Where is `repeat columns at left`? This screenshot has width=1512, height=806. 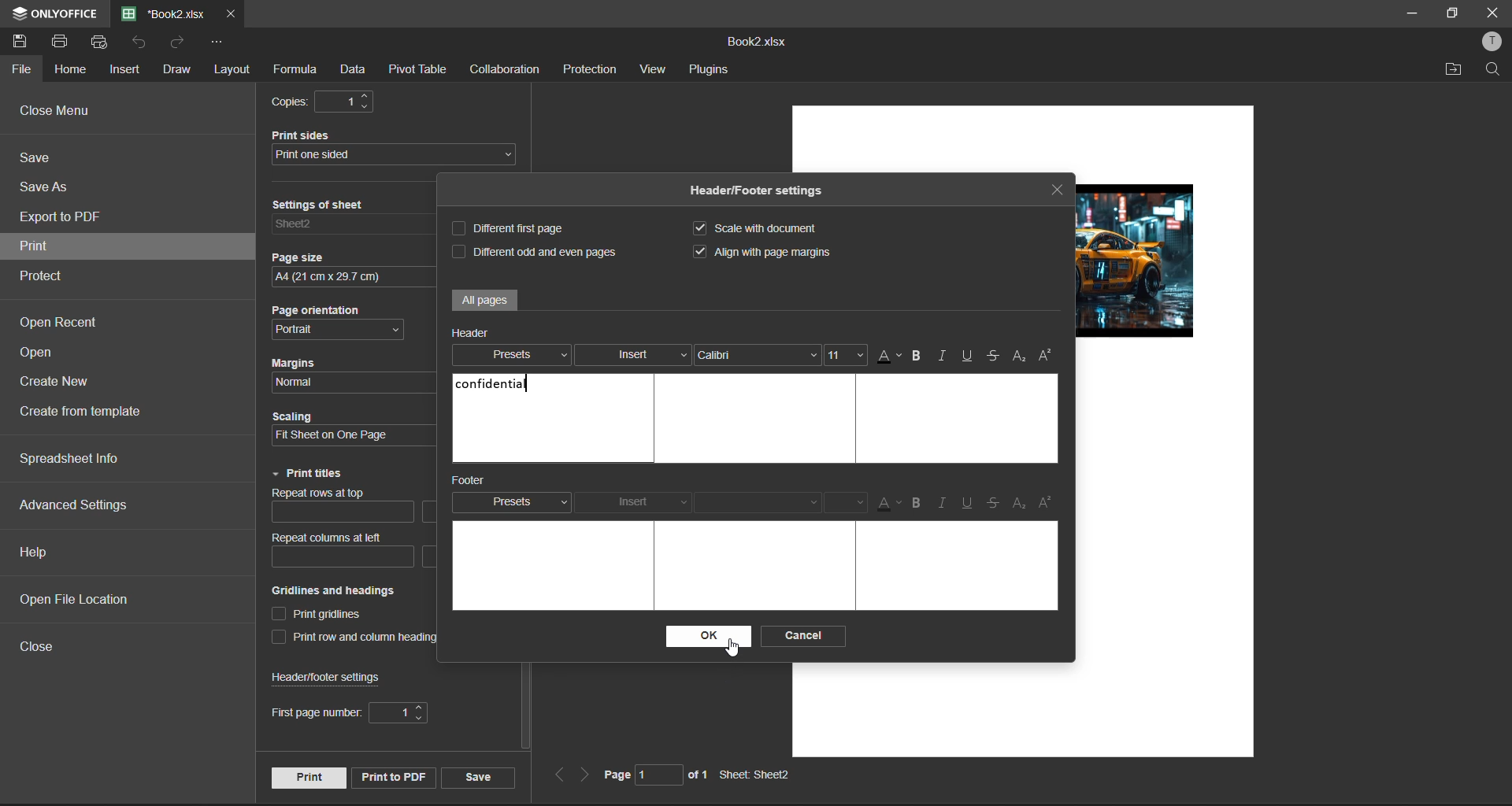
repeat columns at left is located at coordinates (335, 552).